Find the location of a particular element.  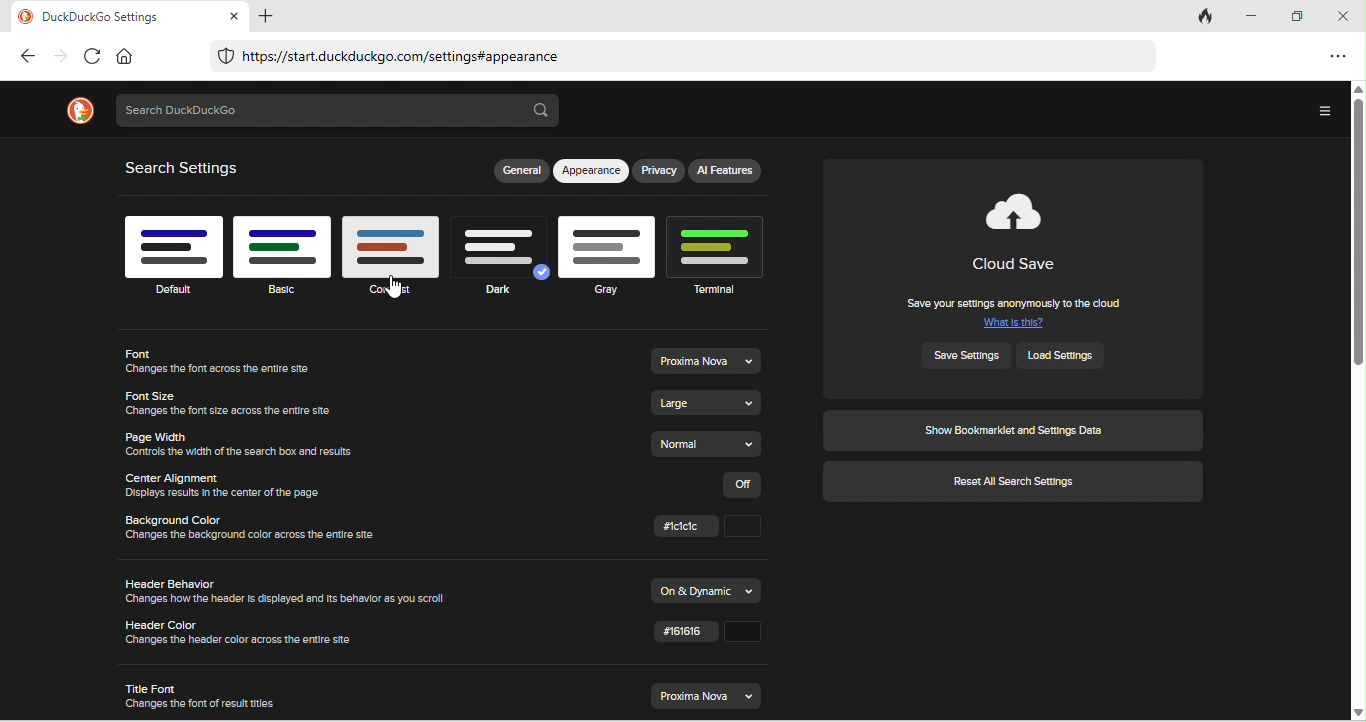

maximize is located at coordinates (1302, 17).